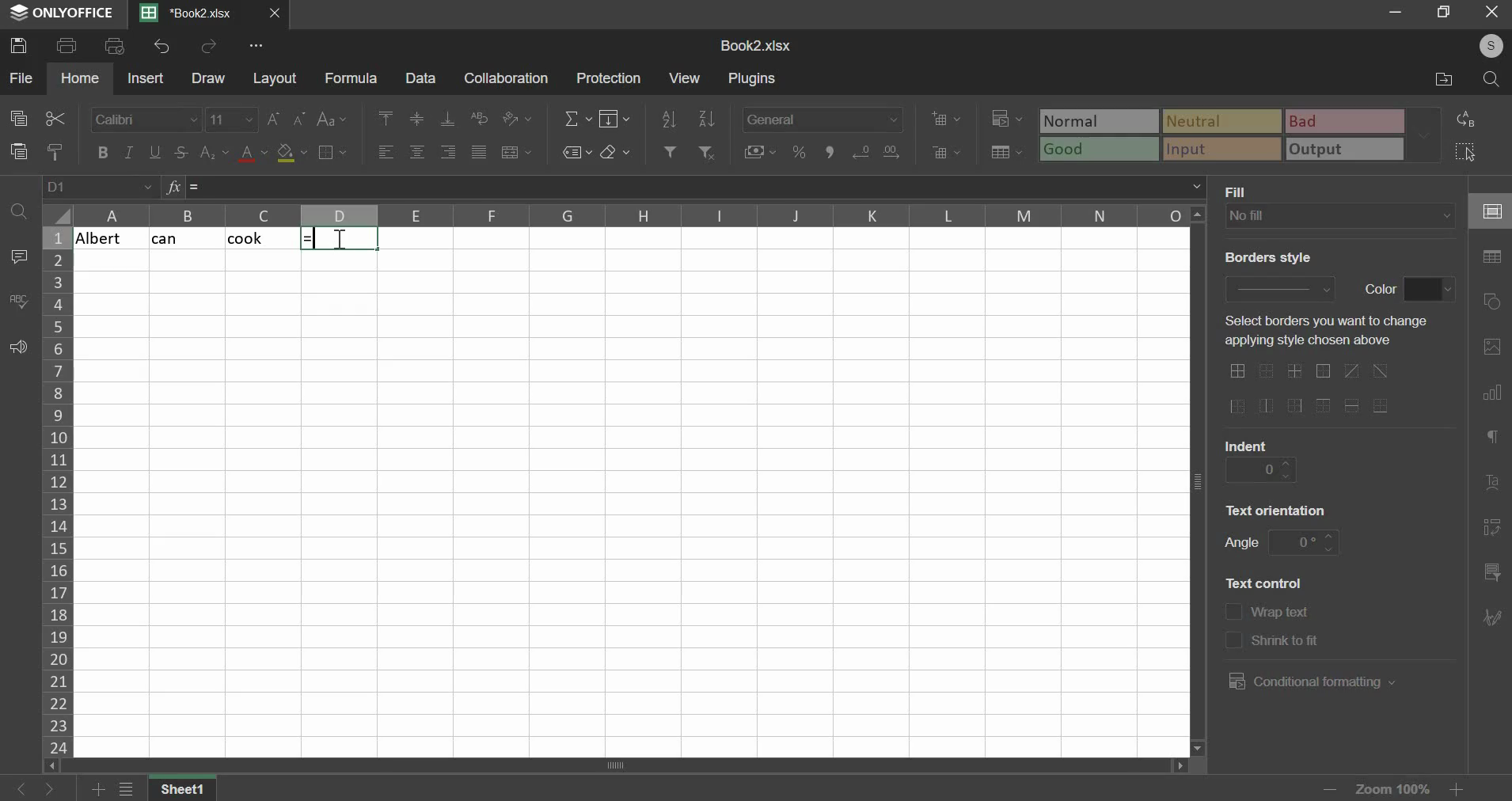  I want to click on columns, so click(633, 216).